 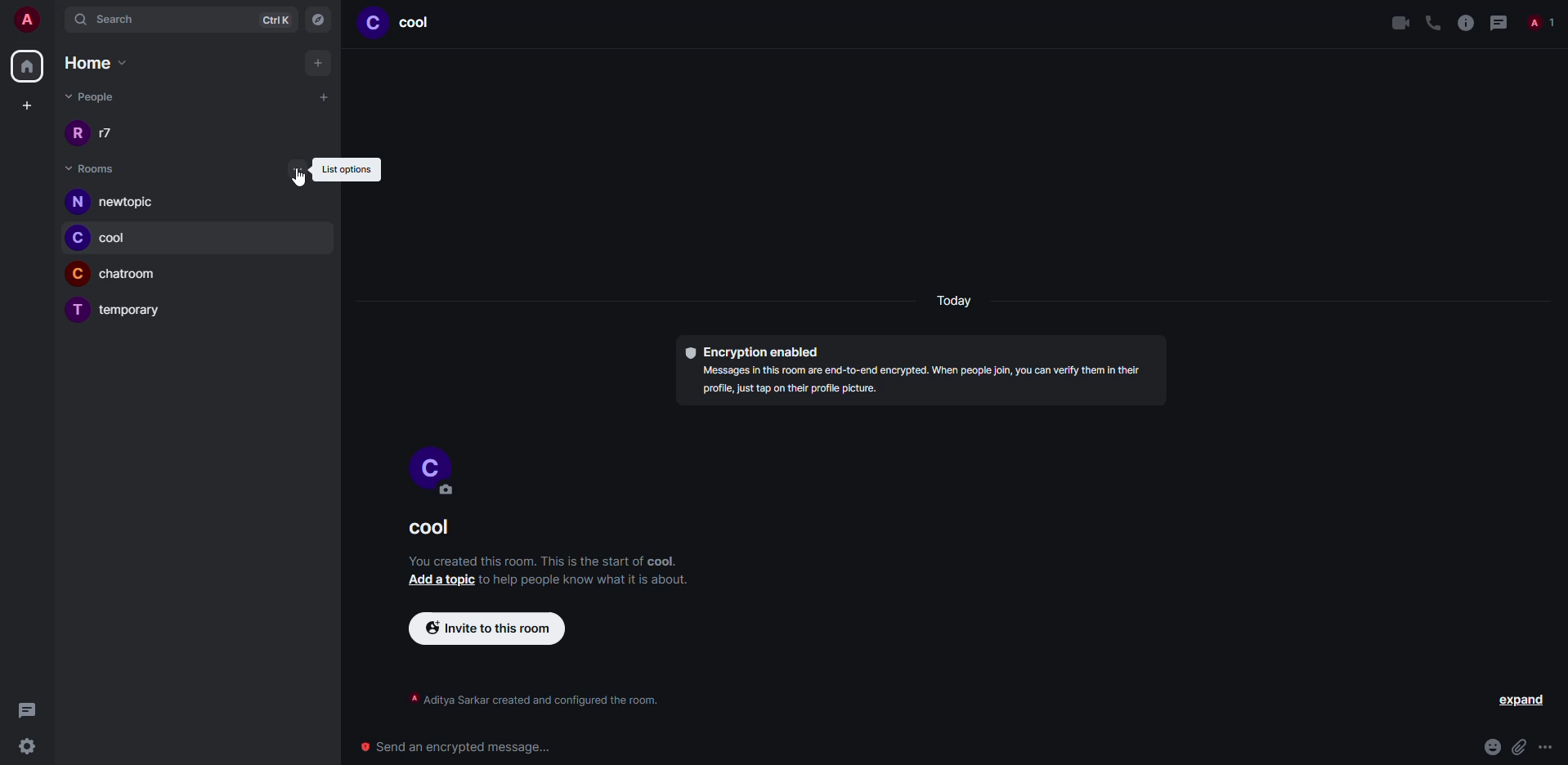 I want to click on home, so click(x=25, y=65).